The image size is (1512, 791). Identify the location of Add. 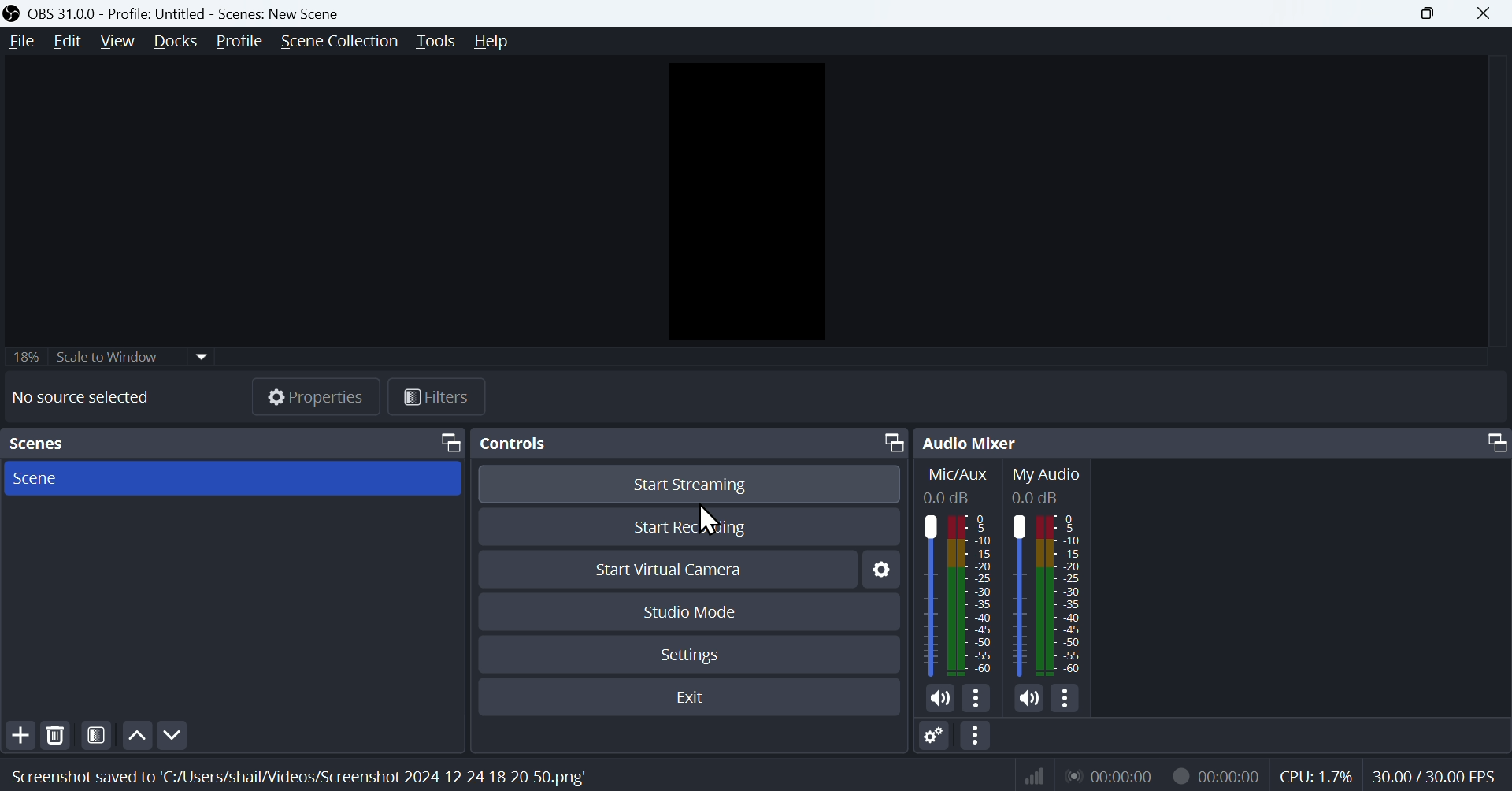
(17, 733).